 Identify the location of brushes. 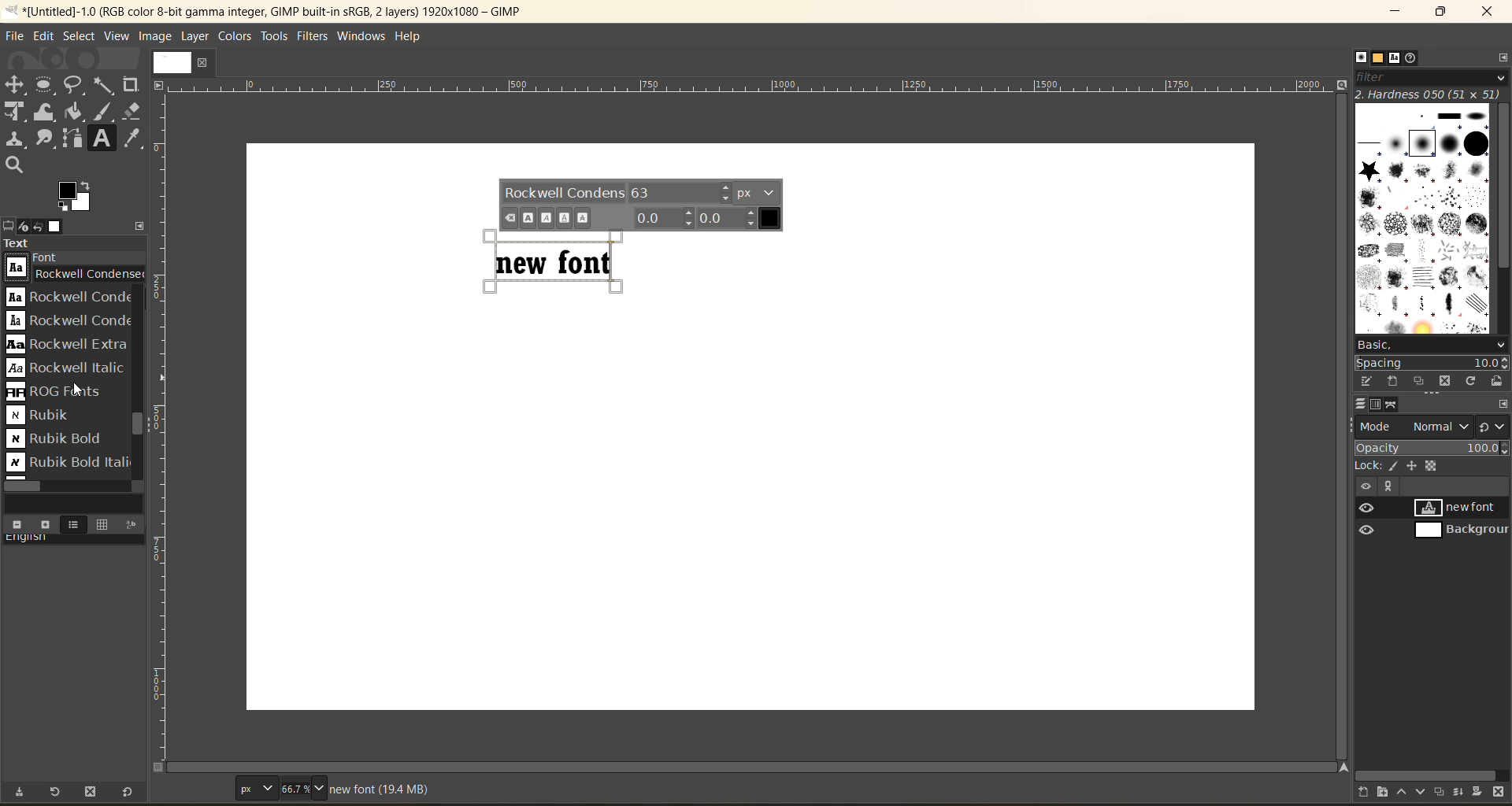
(1361, 57).